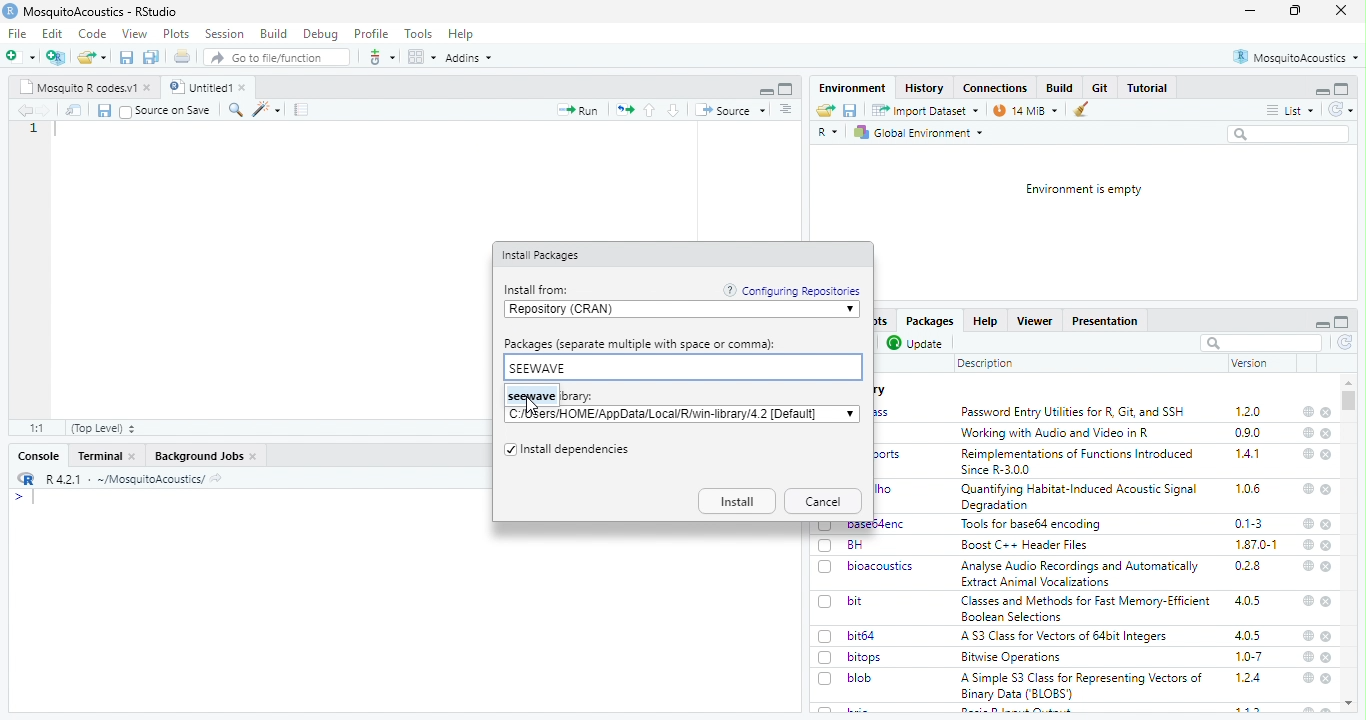  I want to click on Analyse Audio Recordings and Automatically
Extract Animal Vocalizations, so click(1082, 573).